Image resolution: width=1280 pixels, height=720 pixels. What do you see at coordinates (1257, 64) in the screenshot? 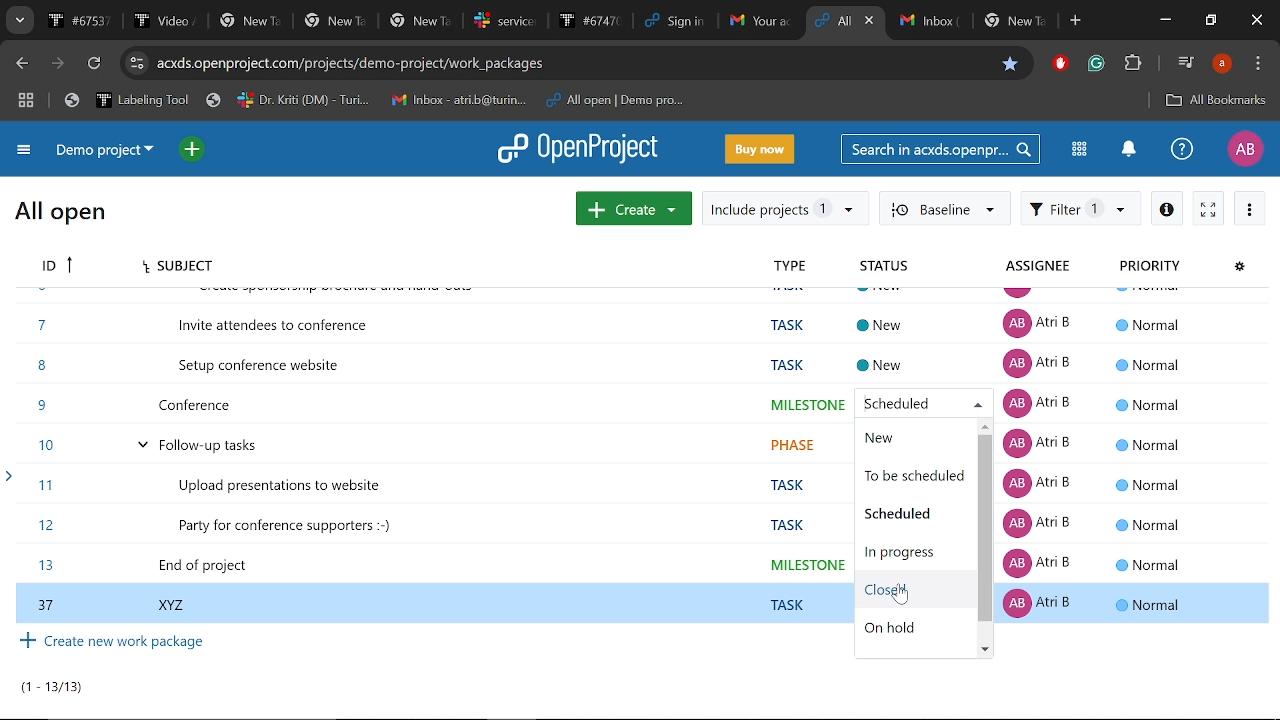
I see `Customize and control chrome` at bounding box center [1257, 64].